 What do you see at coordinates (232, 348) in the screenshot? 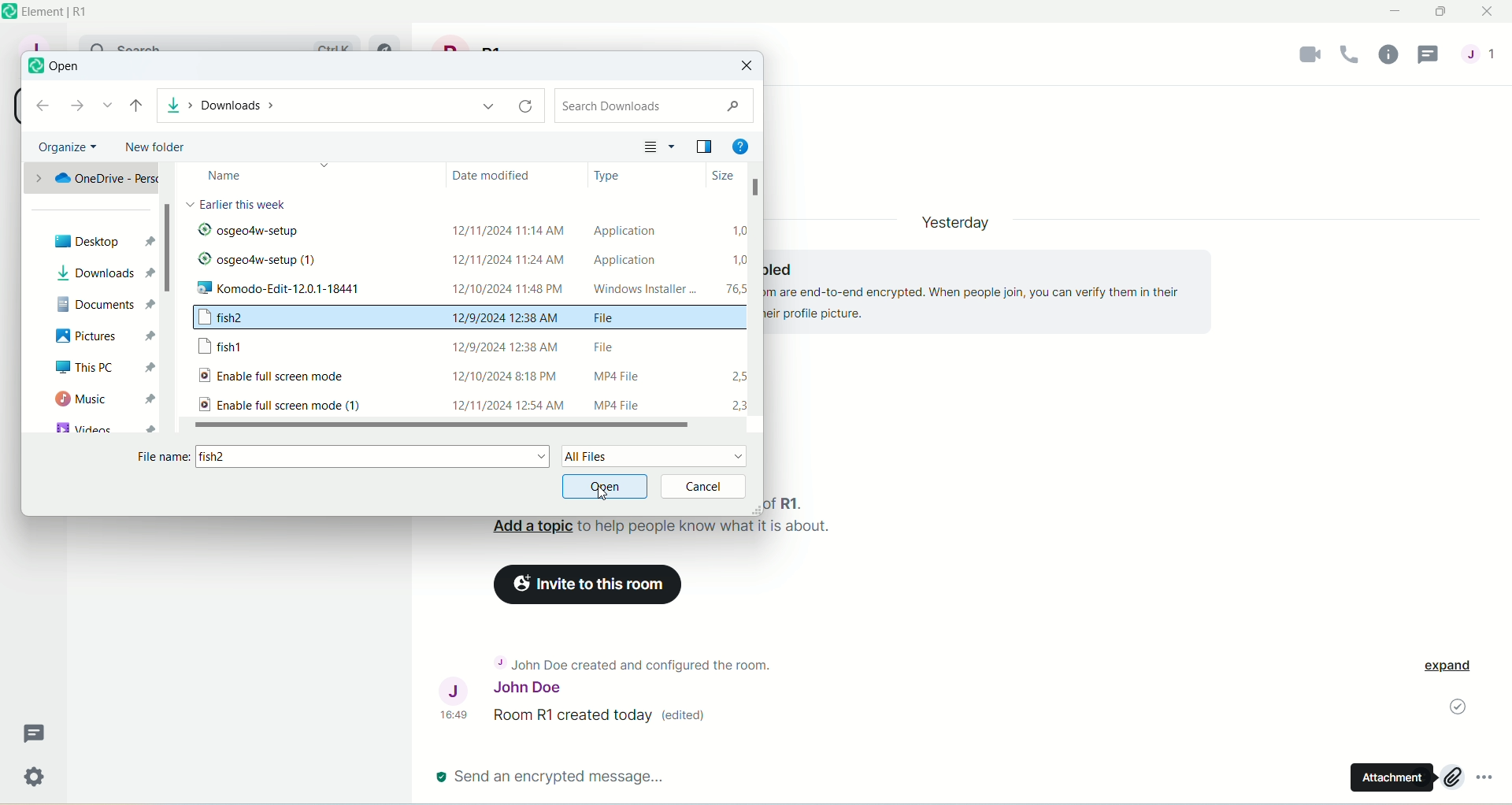
I see `[1 fish1` at bounding box center [232, 348].